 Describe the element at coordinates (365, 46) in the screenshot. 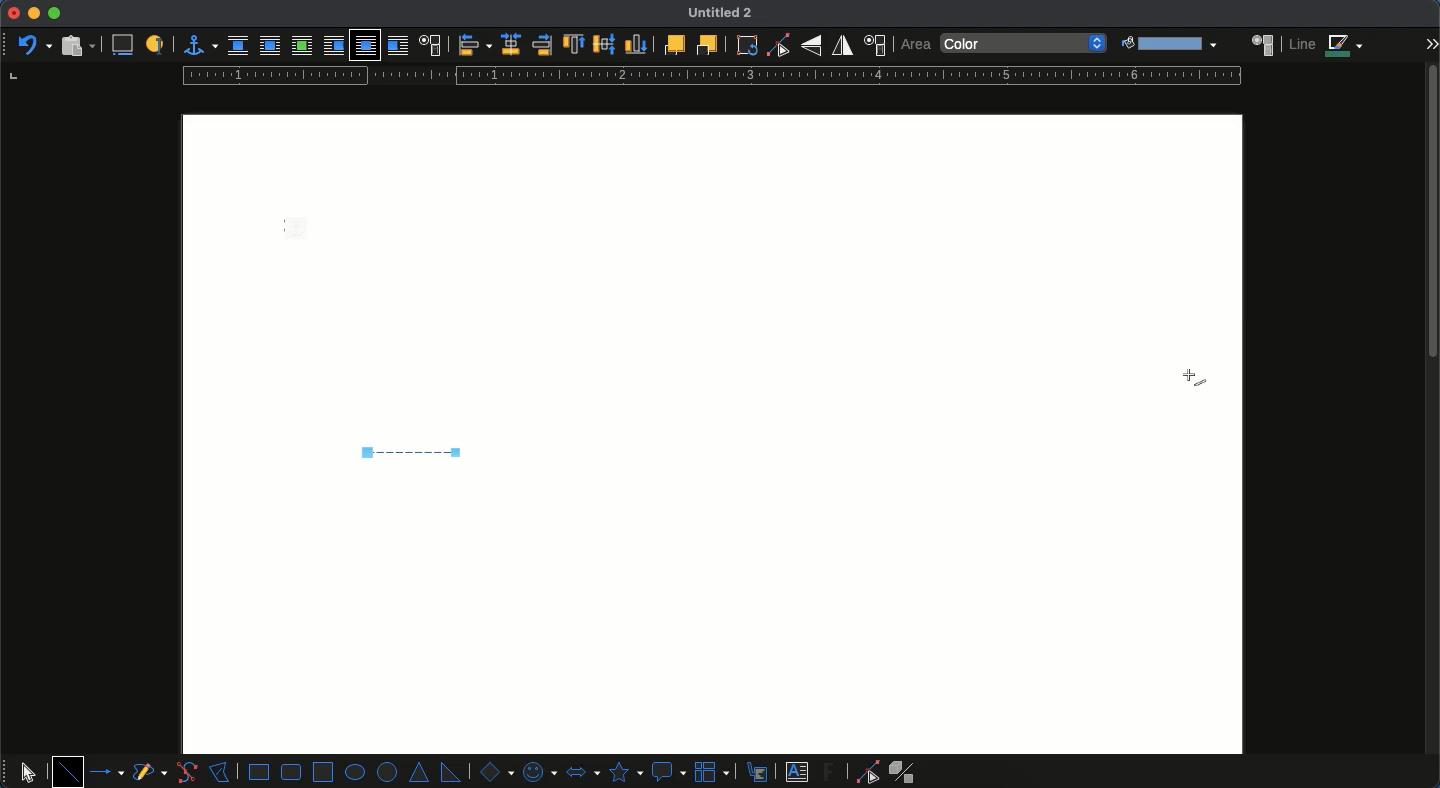

I see `through ` at that location.